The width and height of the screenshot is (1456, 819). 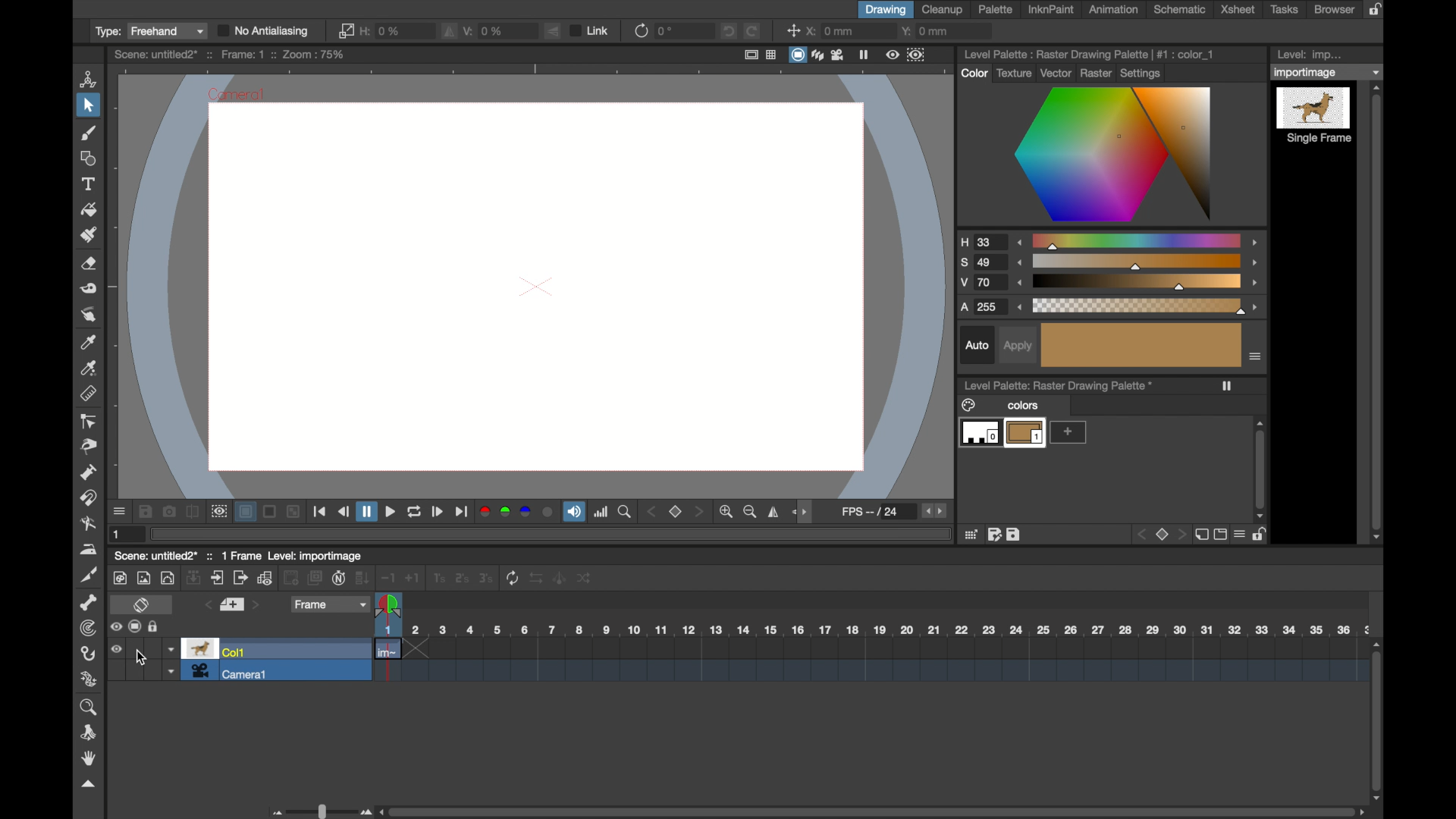 I want to click on x, so click(x=832, y=30).